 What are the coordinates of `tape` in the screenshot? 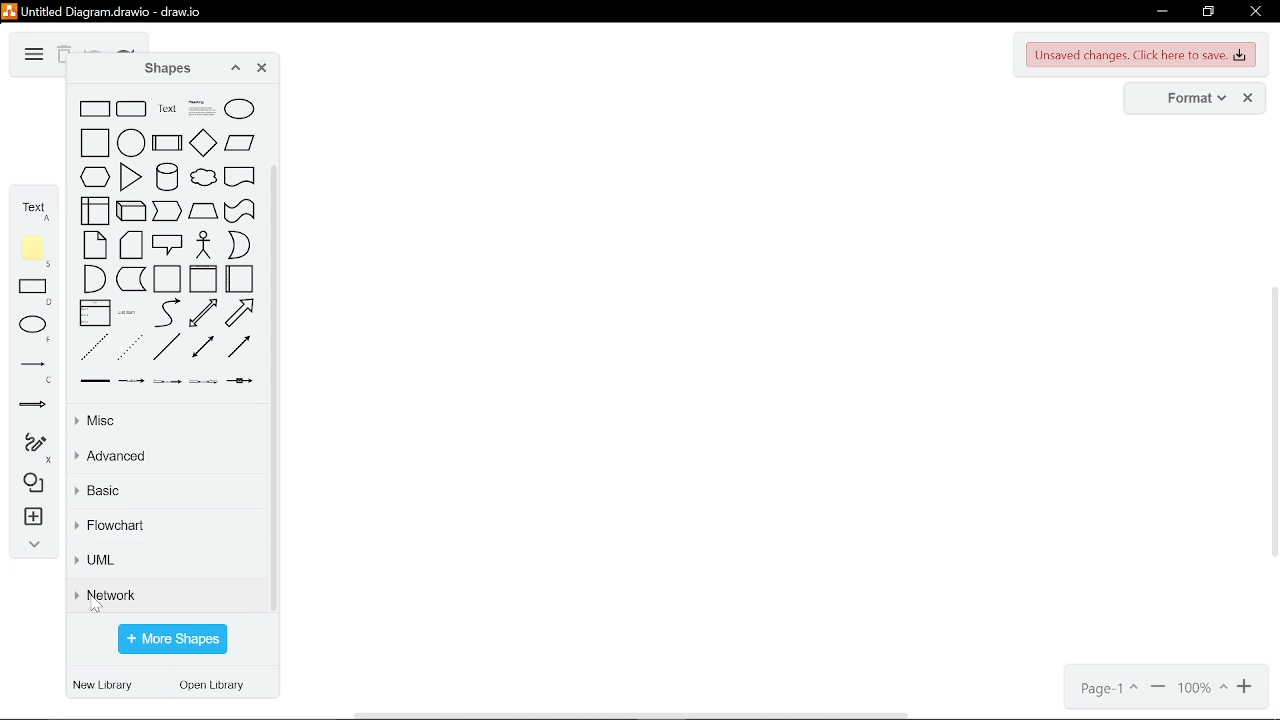 It's located at (240, 211).